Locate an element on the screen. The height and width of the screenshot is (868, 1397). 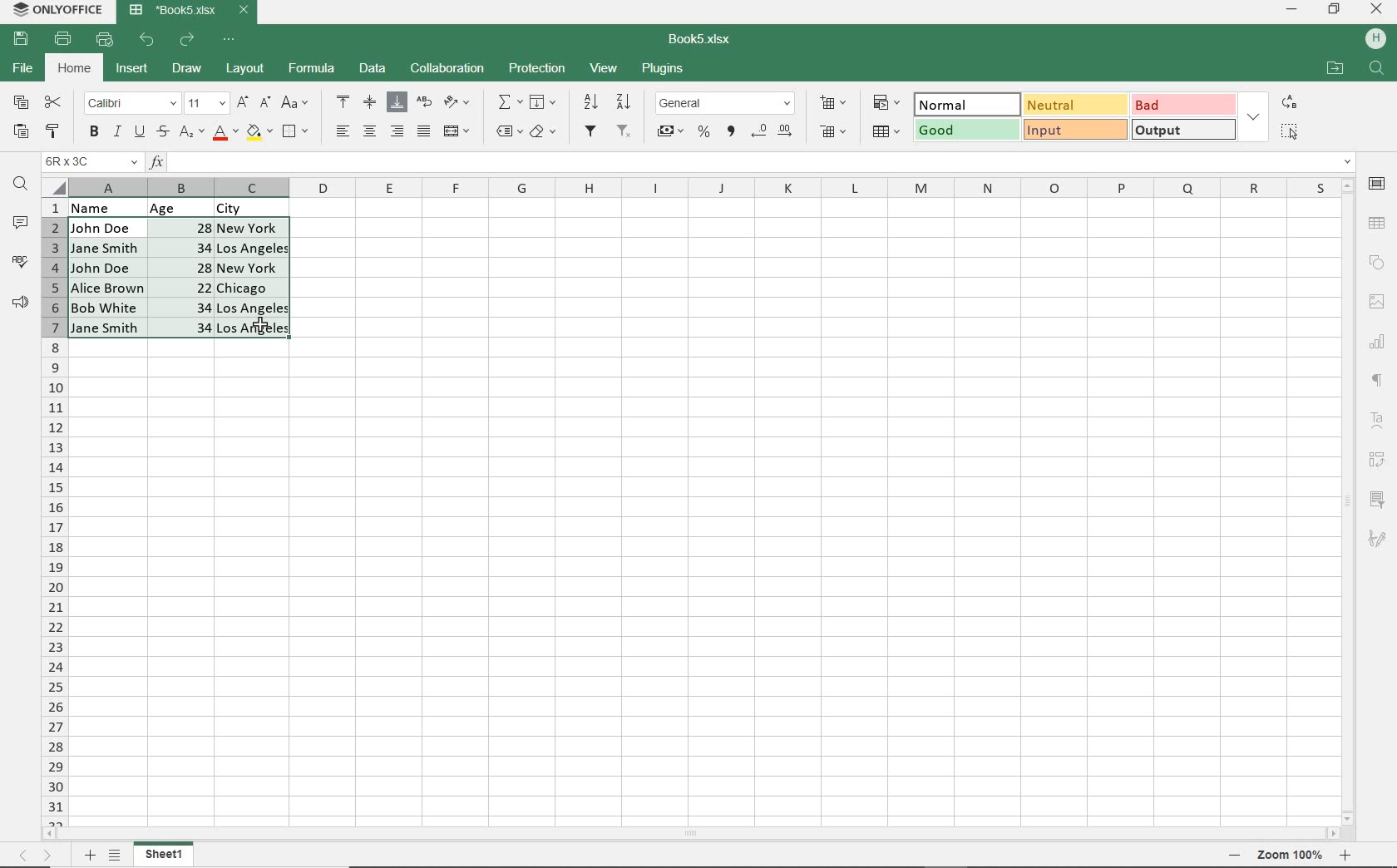
PIVOT TABLE is located at coordinates (1379, 460).